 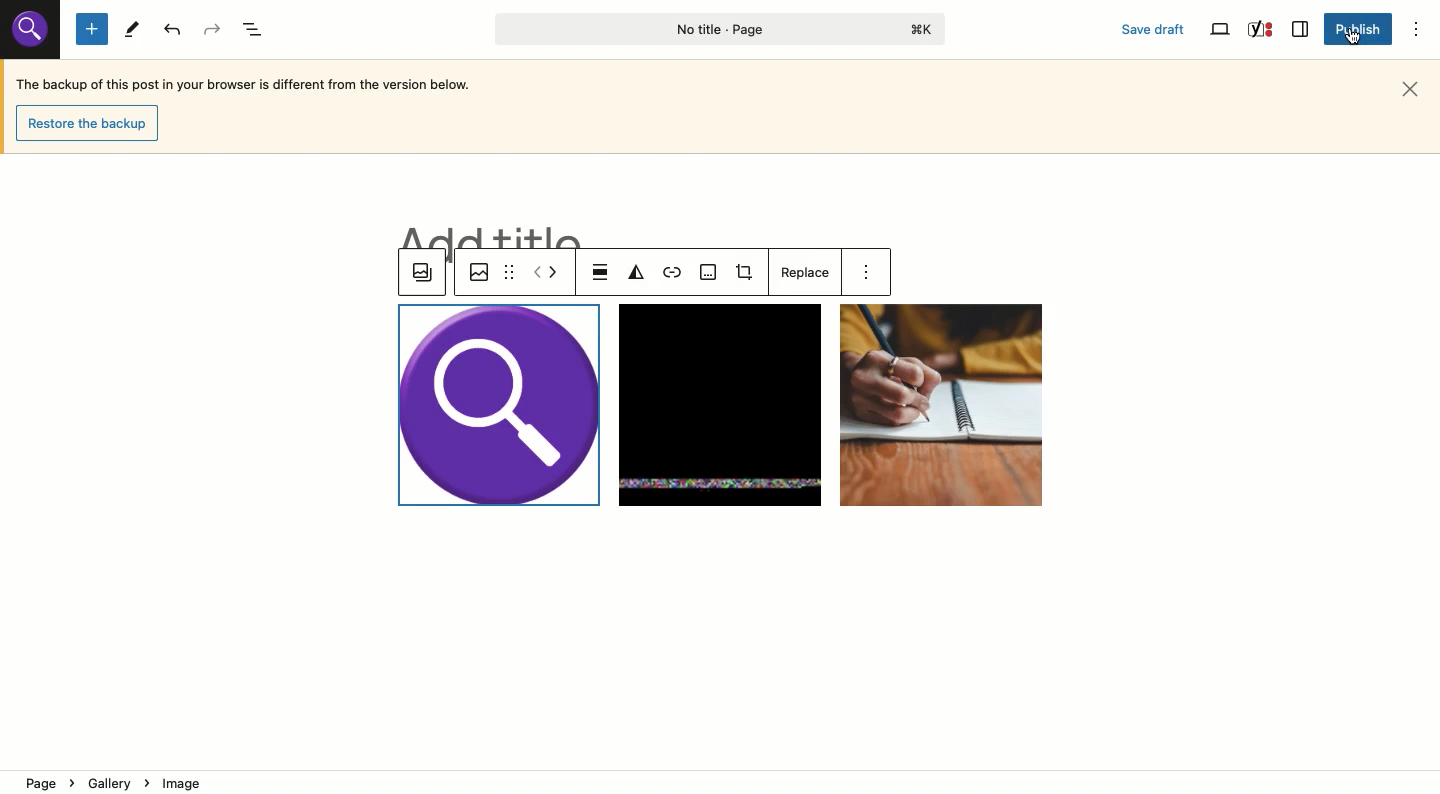 I want to click on Tools, so click(x=129, y=28).